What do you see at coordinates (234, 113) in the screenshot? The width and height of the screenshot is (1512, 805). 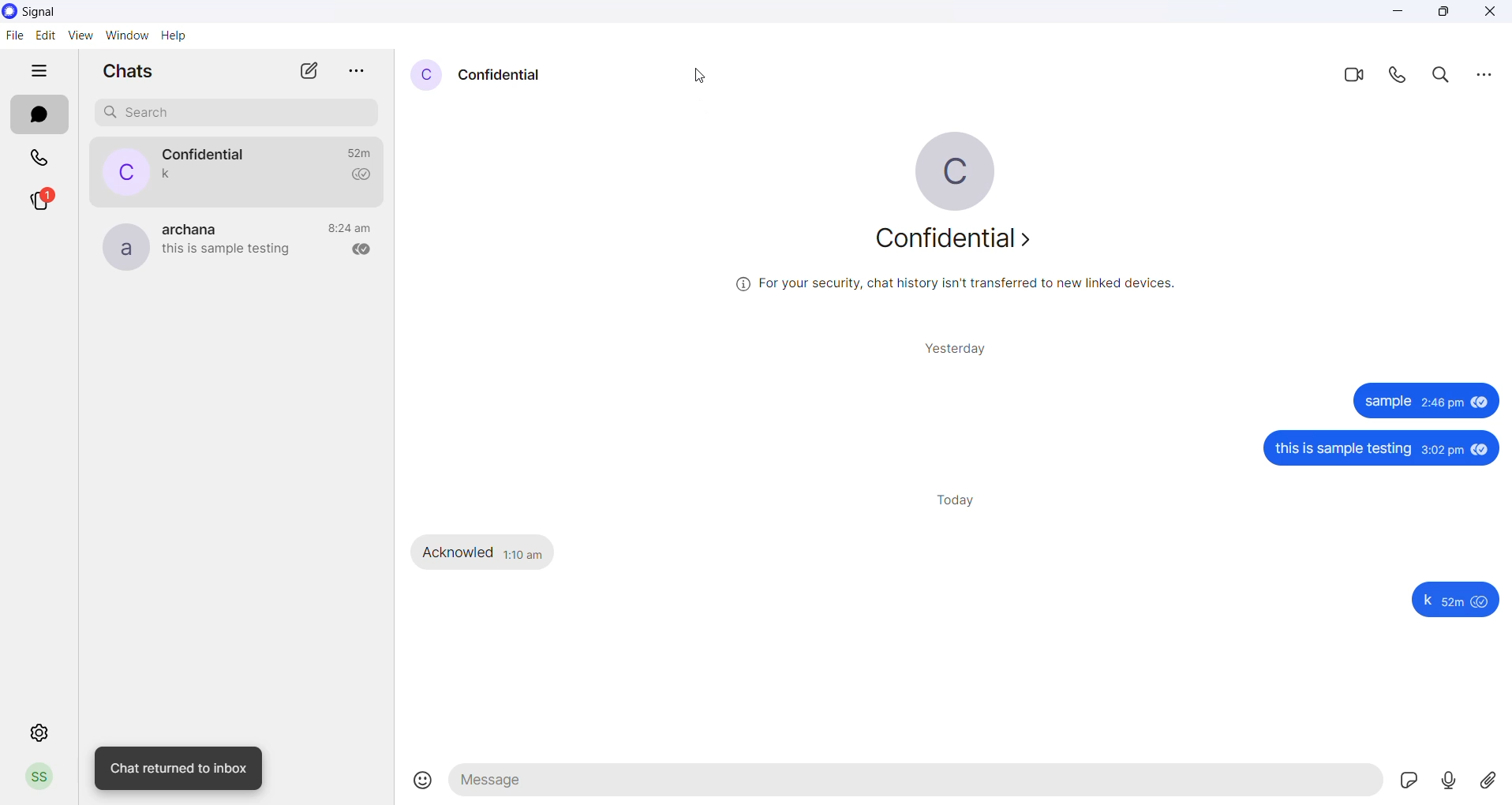 I see `search chat` at bounding box center [234, 113].